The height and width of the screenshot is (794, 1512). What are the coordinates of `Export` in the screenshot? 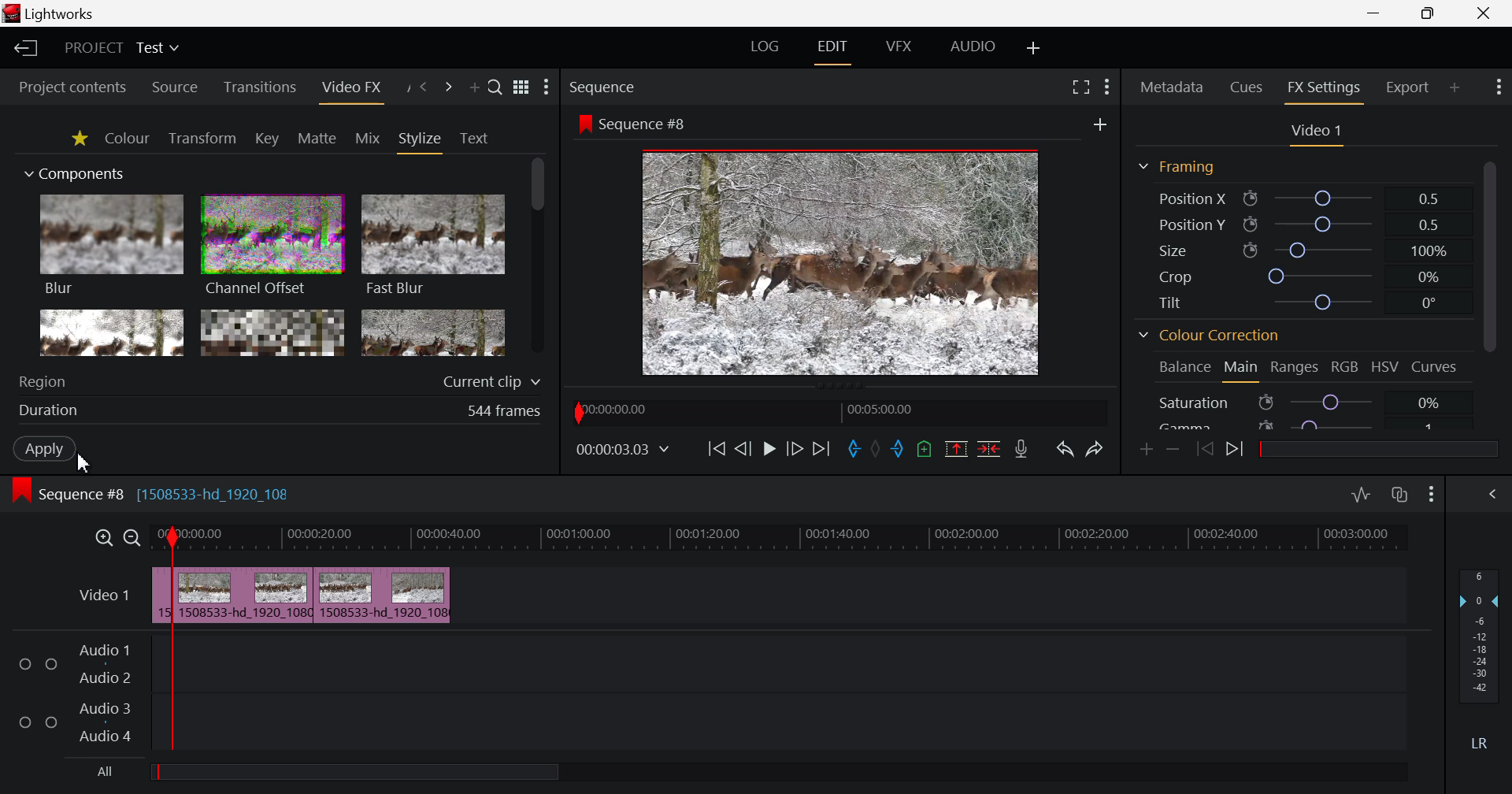 It's located at (1409, 87).